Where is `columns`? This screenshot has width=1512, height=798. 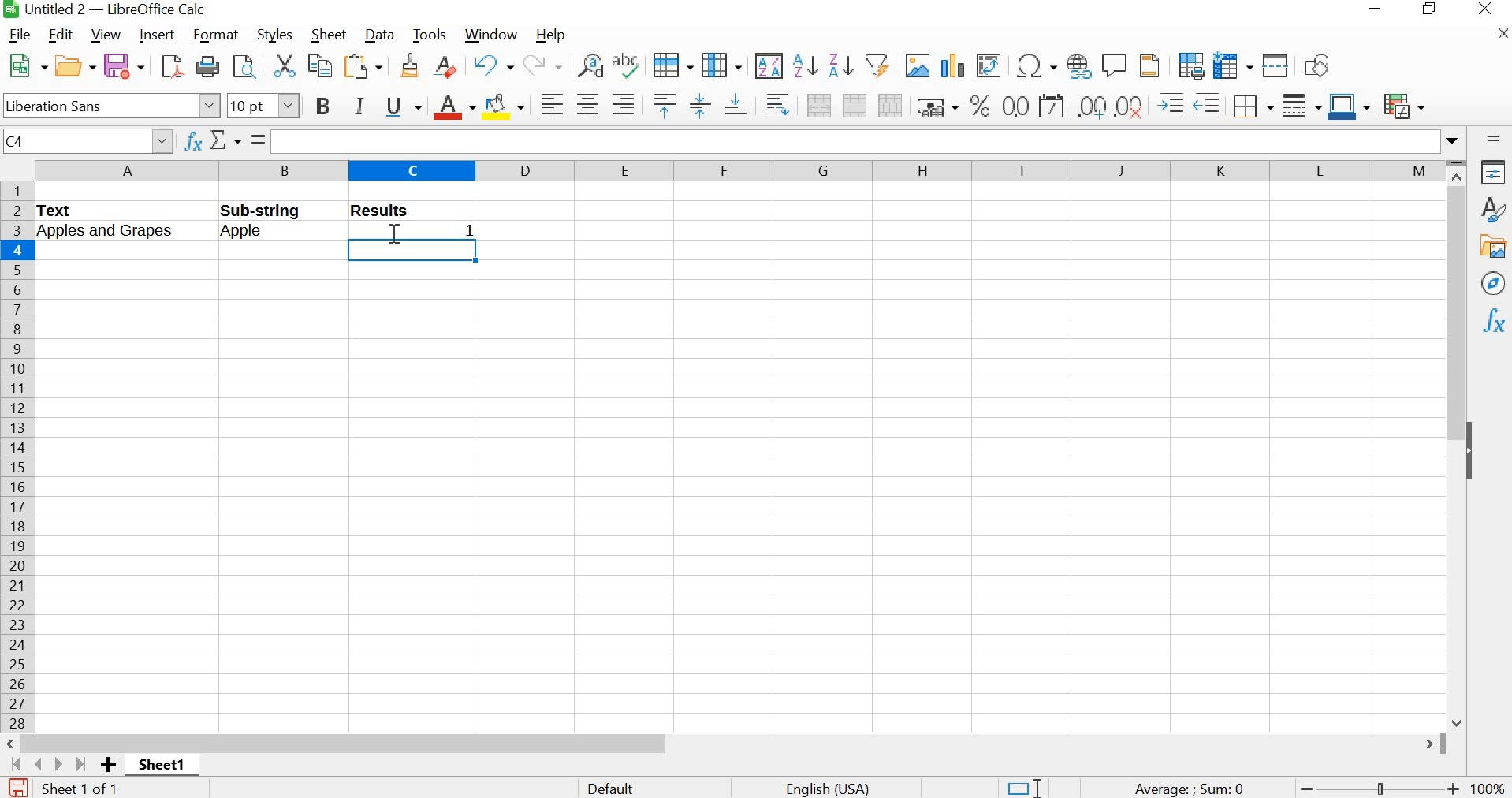 columns is located at coordinates (736, 170).